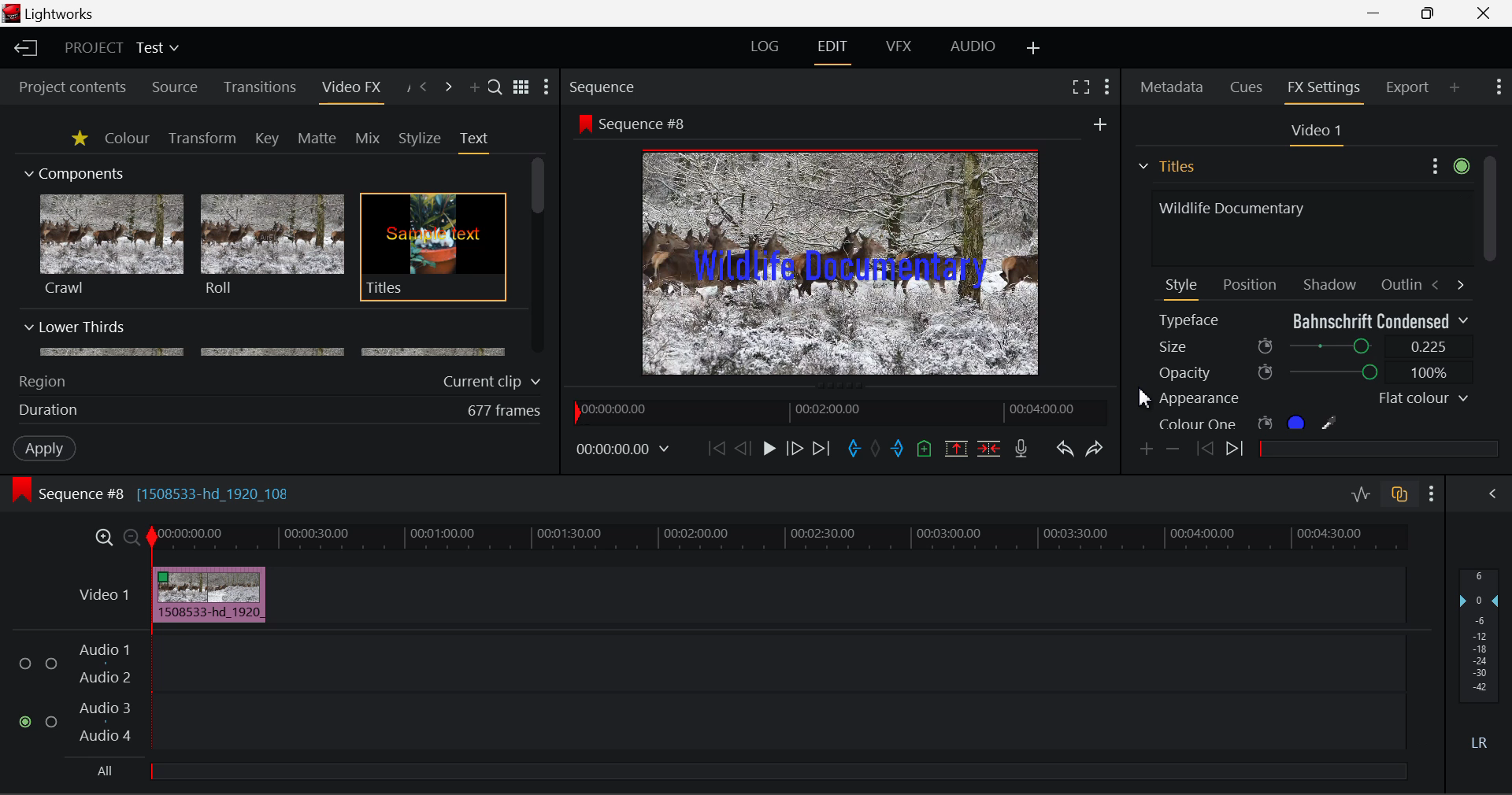  I want to click on Close, so click(1484, 12).